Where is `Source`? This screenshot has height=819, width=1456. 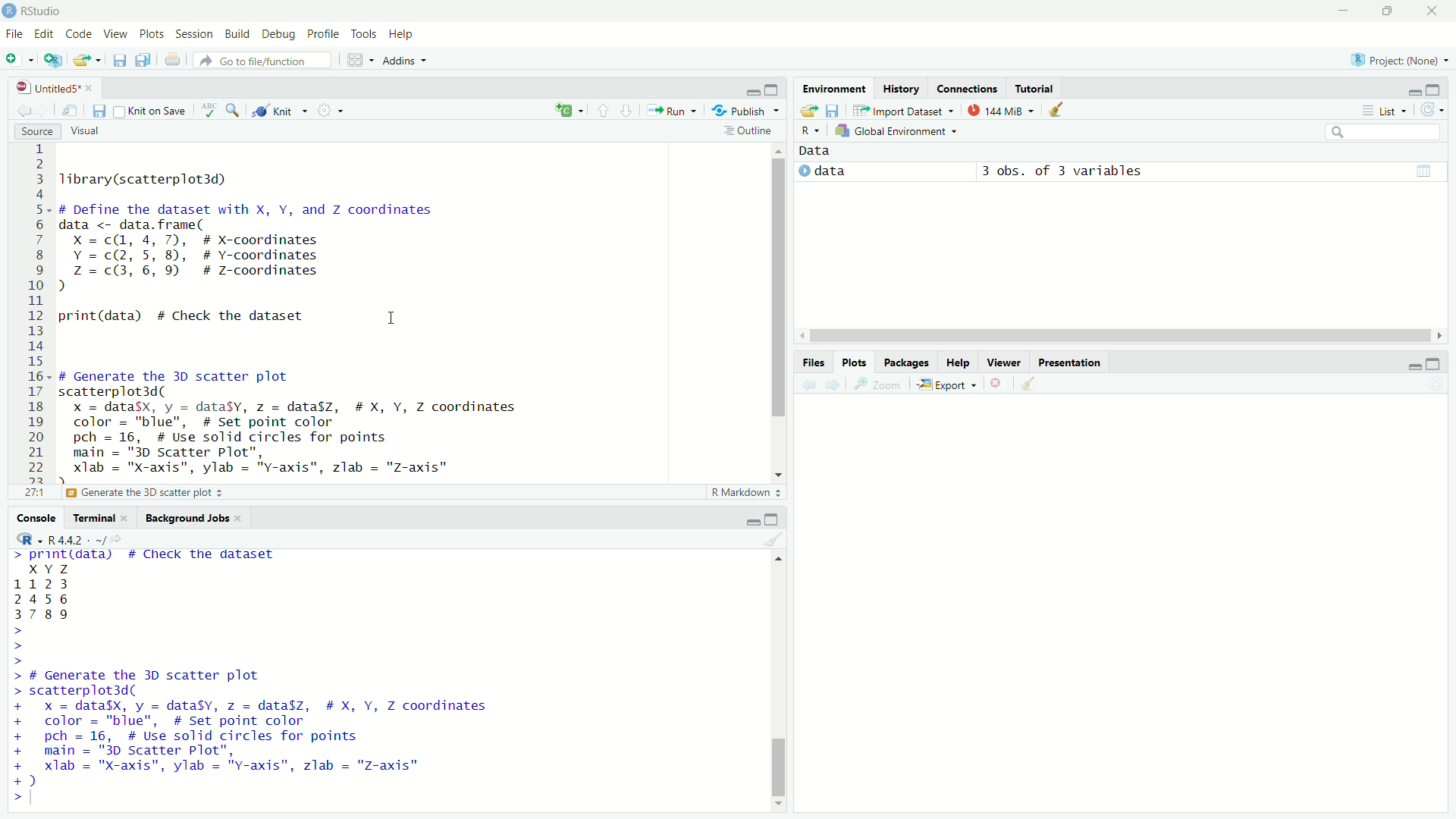 Source is located at coordinates (33, 132).